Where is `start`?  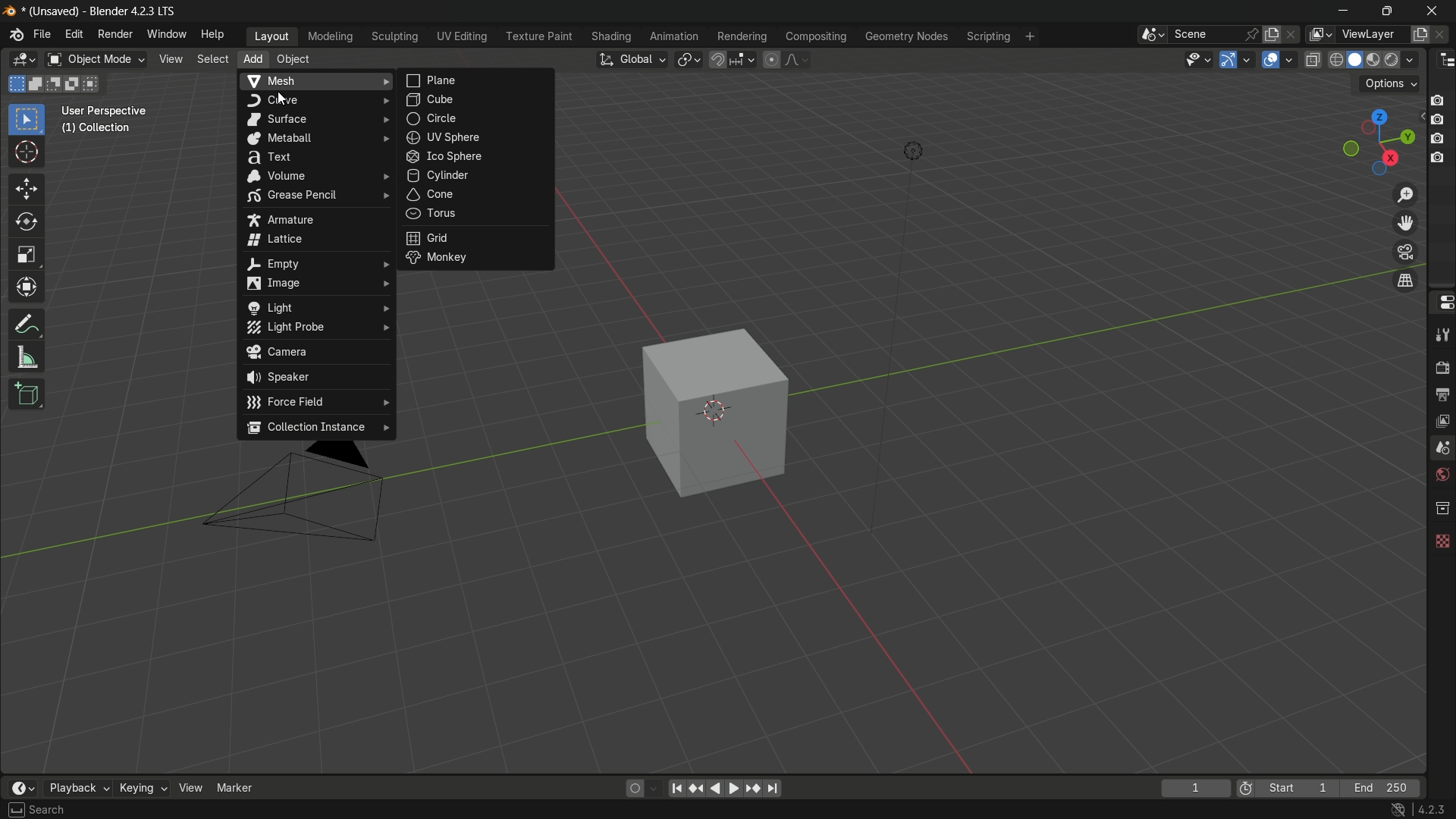
start is located at coordinates (1299, 787).